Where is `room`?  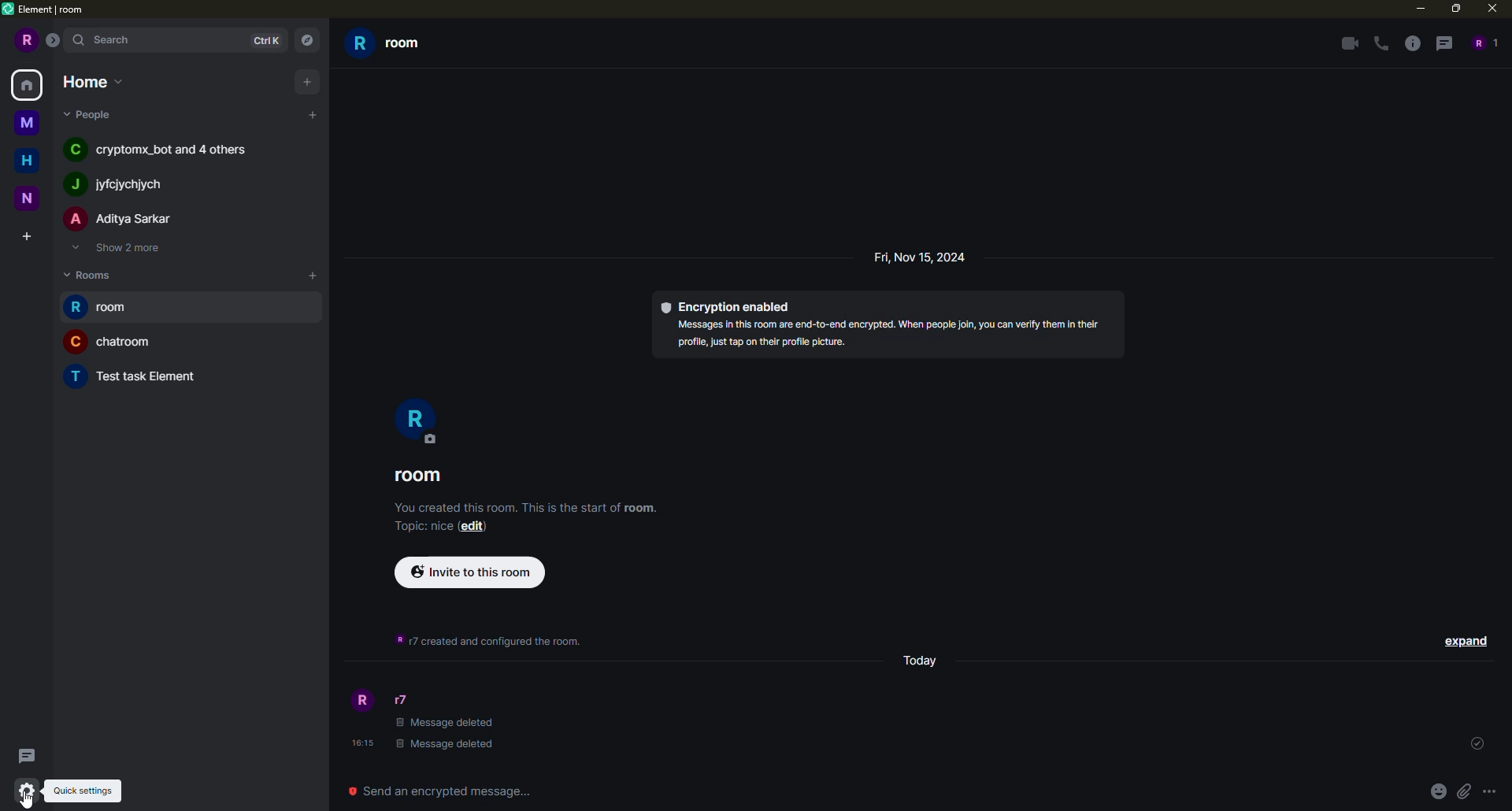 room is located at coordinates (112, 341).